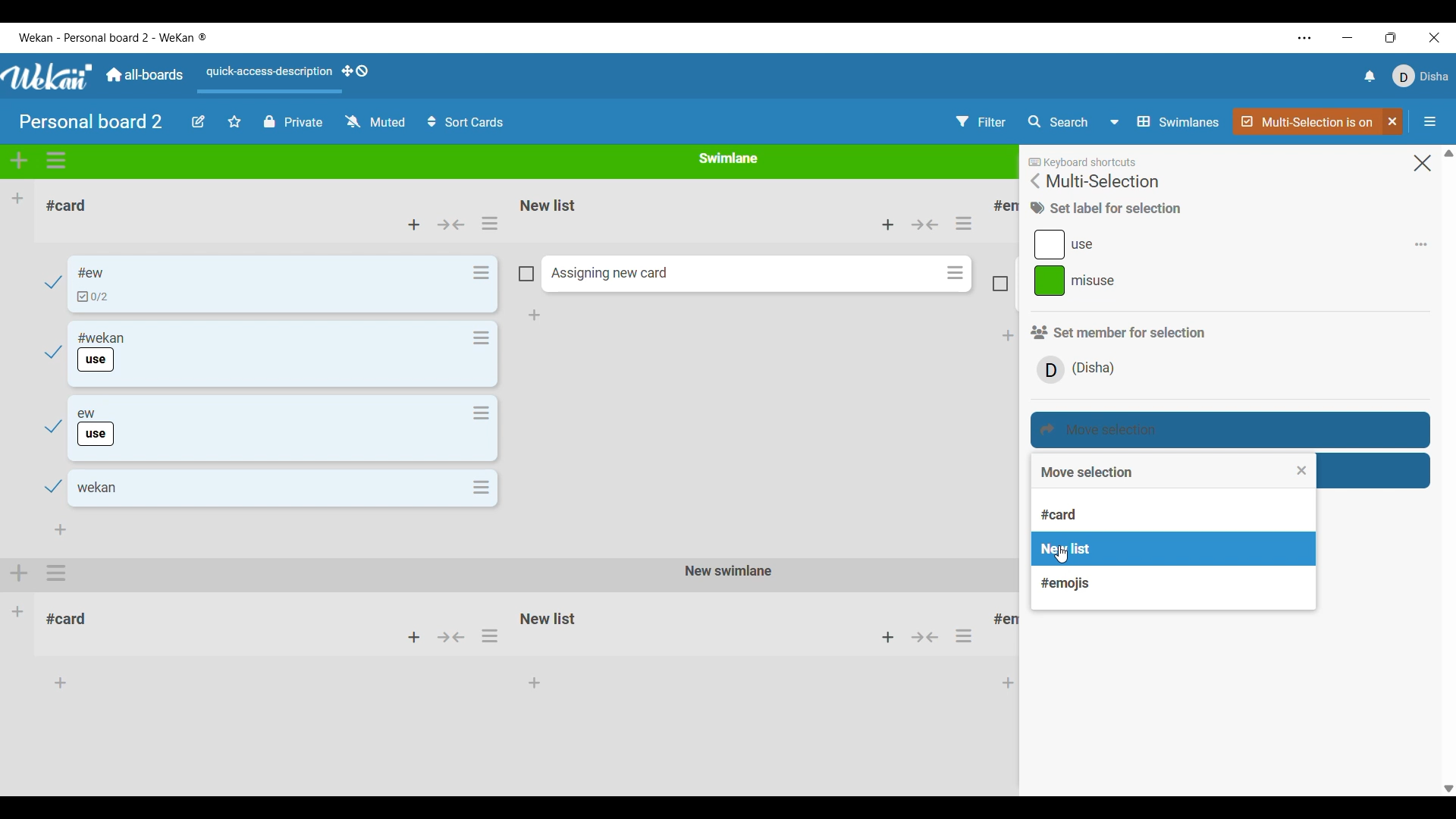 The width and height of the screenshot is (1456, 819). What do you see at coordinates (1231, 431) in the screenshot?
I see `Move selection highlighted by cursor` at bounding box center [1231, 431].